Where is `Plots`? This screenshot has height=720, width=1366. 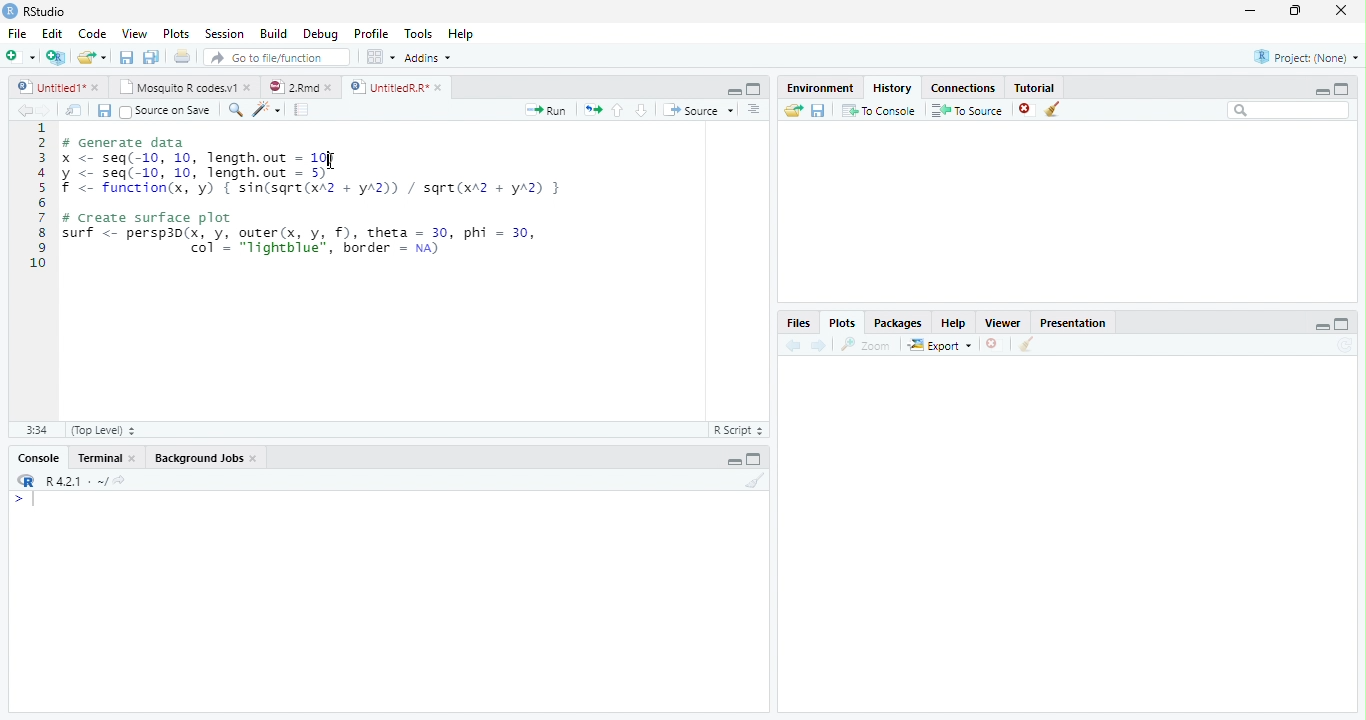 Plots is located at coordinates (175, 33).